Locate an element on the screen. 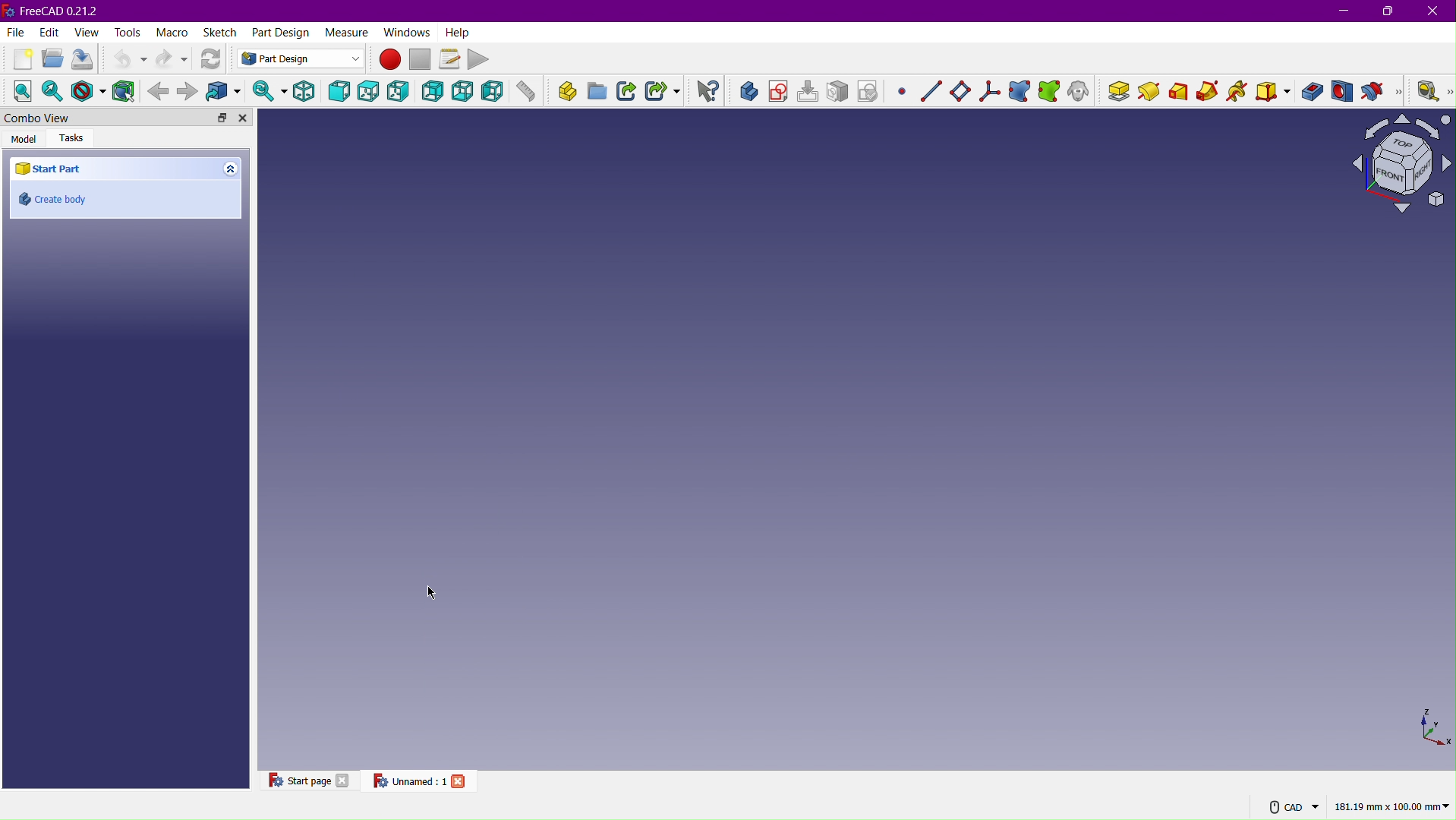 This screenshot has width=1456, height=820. Macro Recording is located at coordinates (387, 60).